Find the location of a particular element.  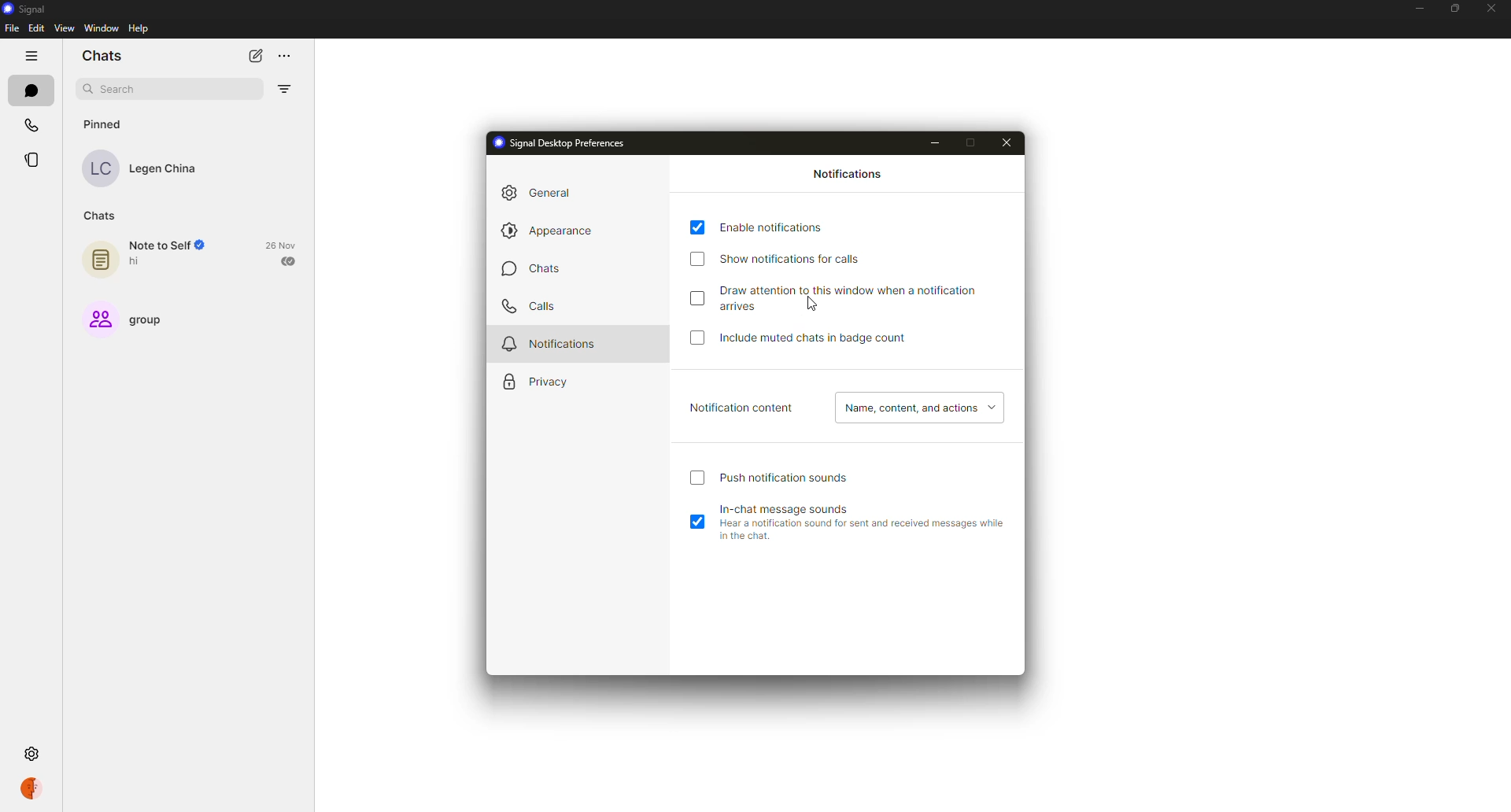

privacy is located at coordinates (538, 380).